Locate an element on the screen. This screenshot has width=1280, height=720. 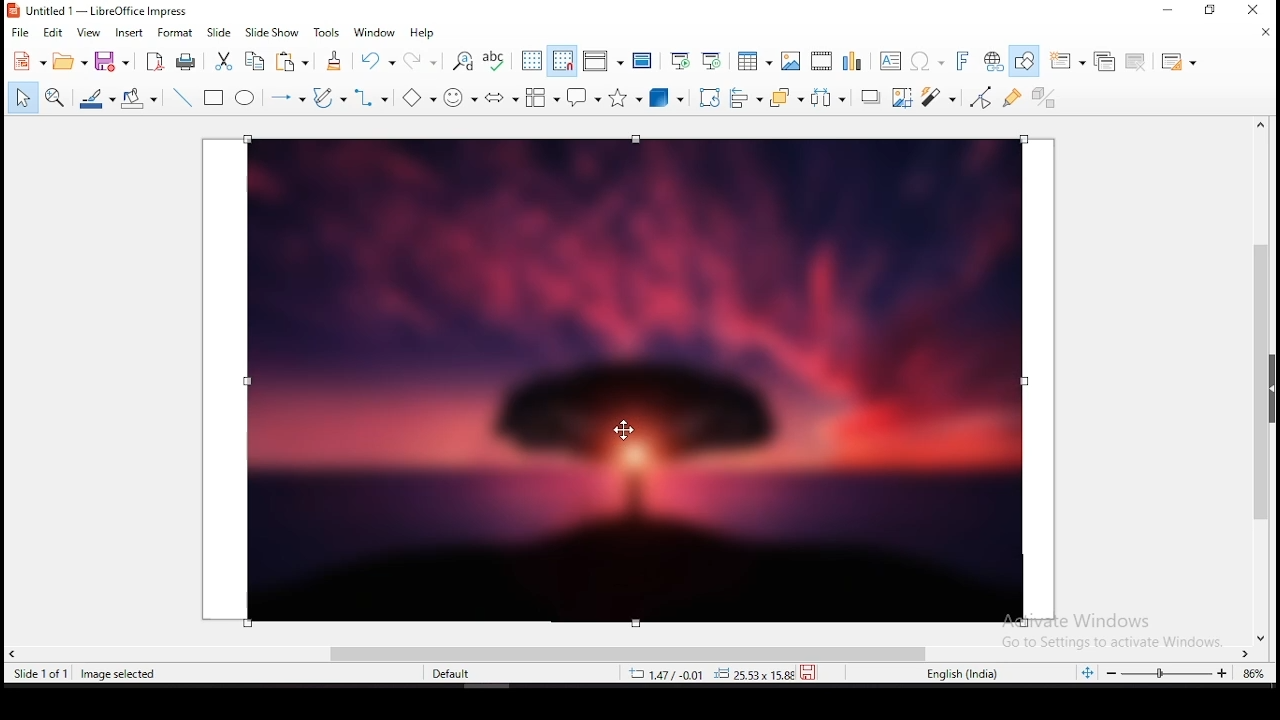
slide is located at coordinates (220, 32).